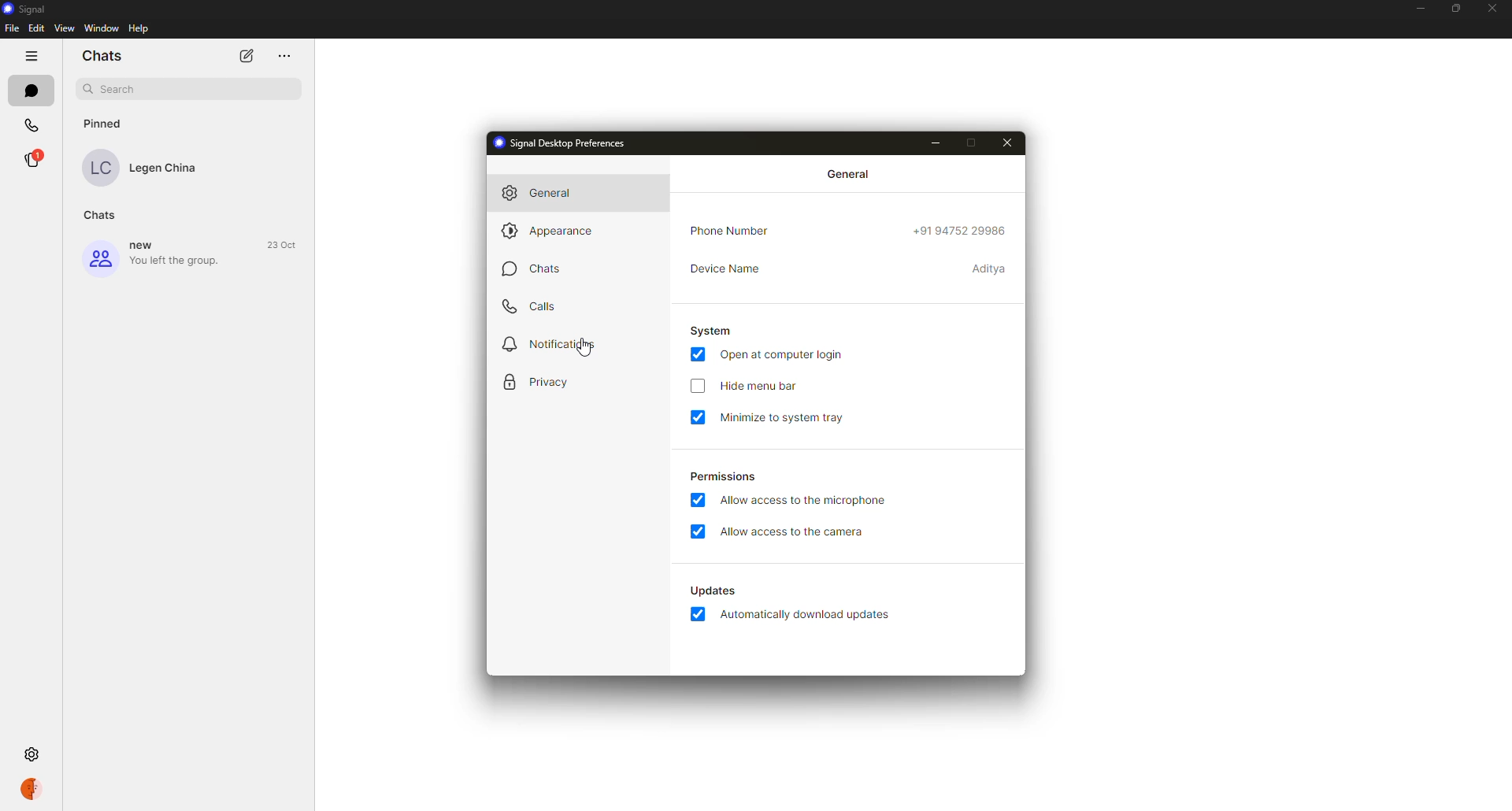 The height and width of the screenshot is (811, 1512). What do you see at coordinates (696, 387) in the screenshot?
I see `select` at bounding box center [696, 387].